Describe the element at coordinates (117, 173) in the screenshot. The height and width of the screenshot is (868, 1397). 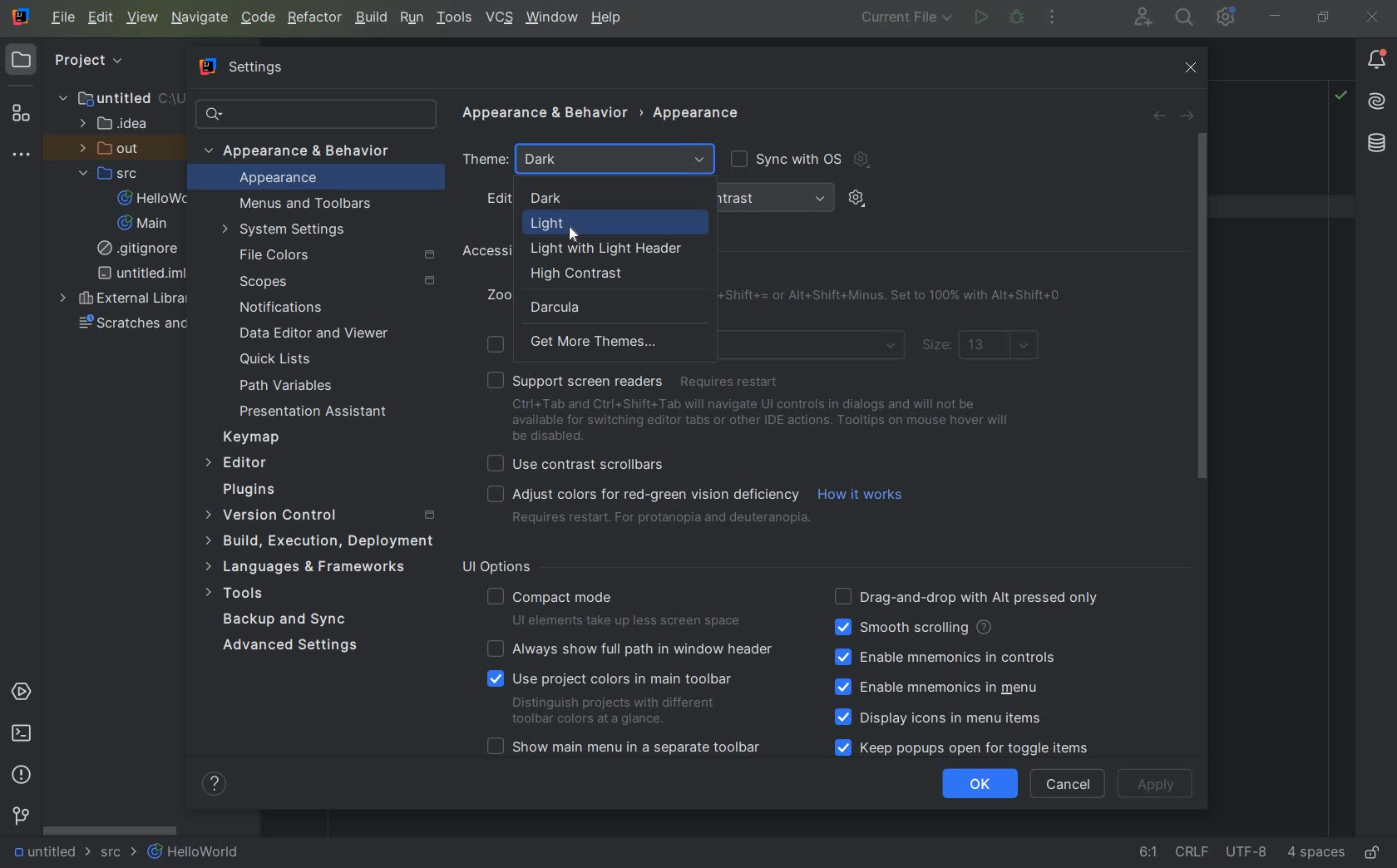
I see `SRC` at that location.